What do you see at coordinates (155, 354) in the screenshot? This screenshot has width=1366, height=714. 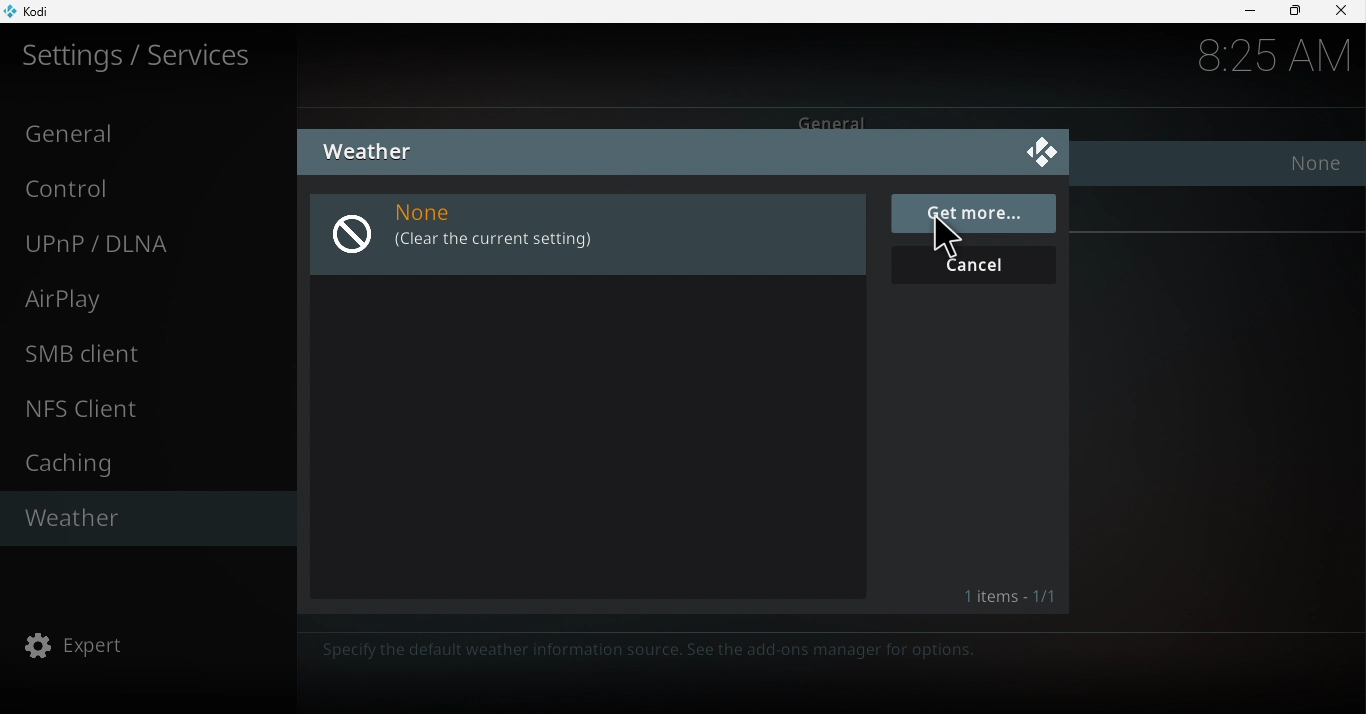 I see `SMB client` at bounding box center [155, 354].